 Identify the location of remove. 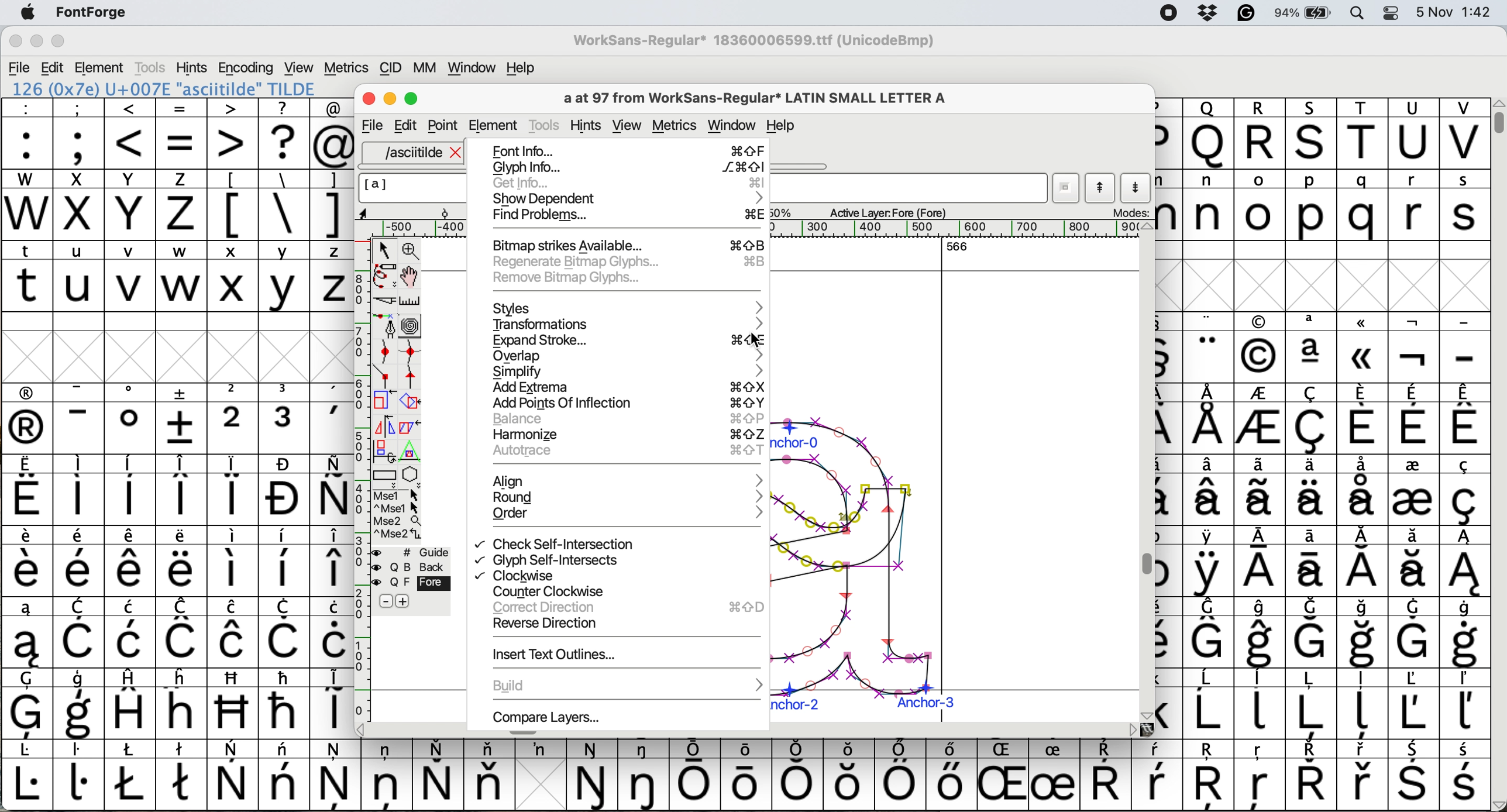
(386, 602).